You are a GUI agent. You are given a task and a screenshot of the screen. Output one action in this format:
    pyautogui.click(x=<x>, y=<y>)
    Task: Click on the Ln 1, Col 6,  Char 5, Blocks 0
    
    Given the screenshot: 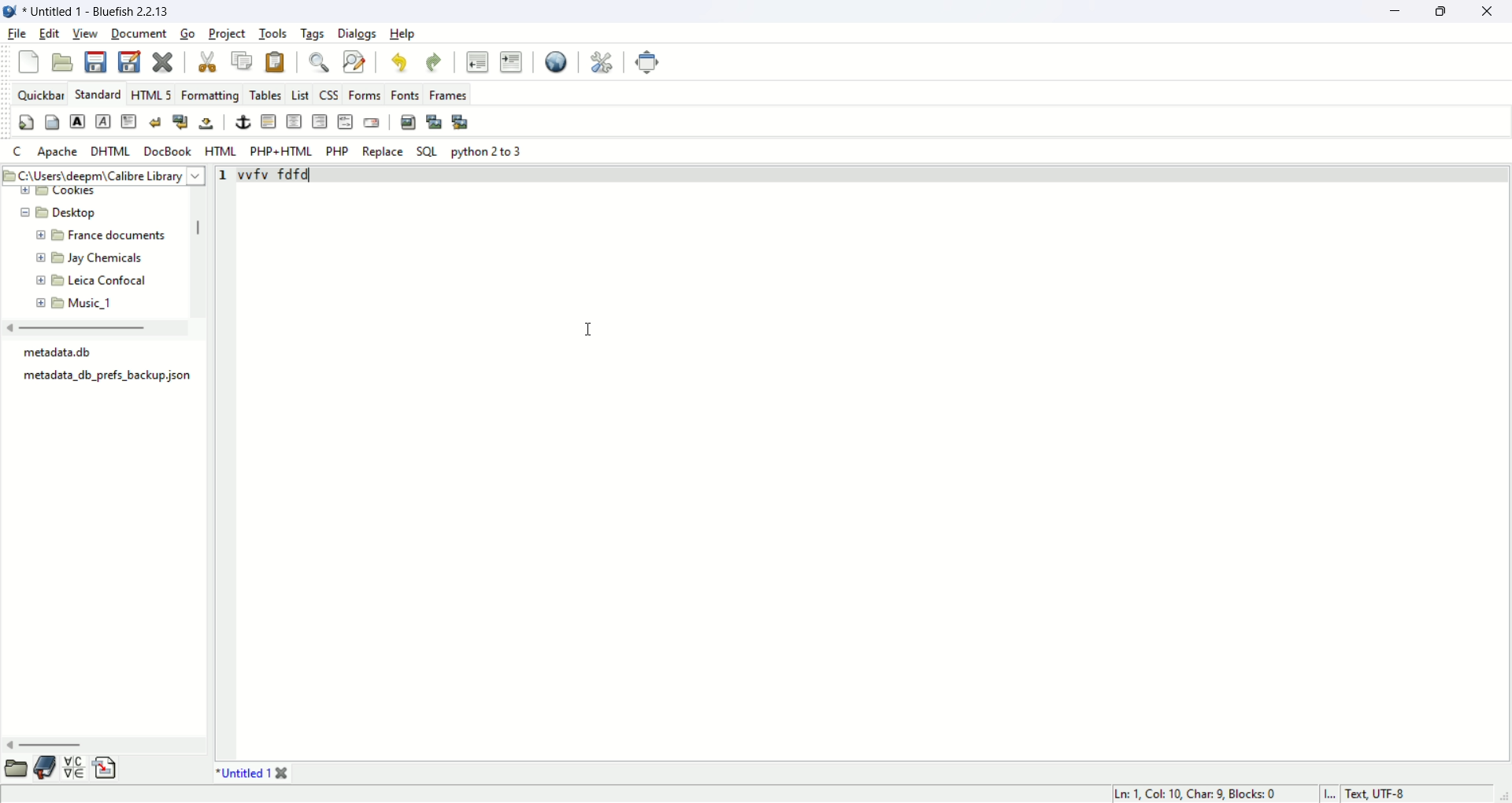 What is the action you would take?
    pyautogui.click(x=1199, y=791)
    